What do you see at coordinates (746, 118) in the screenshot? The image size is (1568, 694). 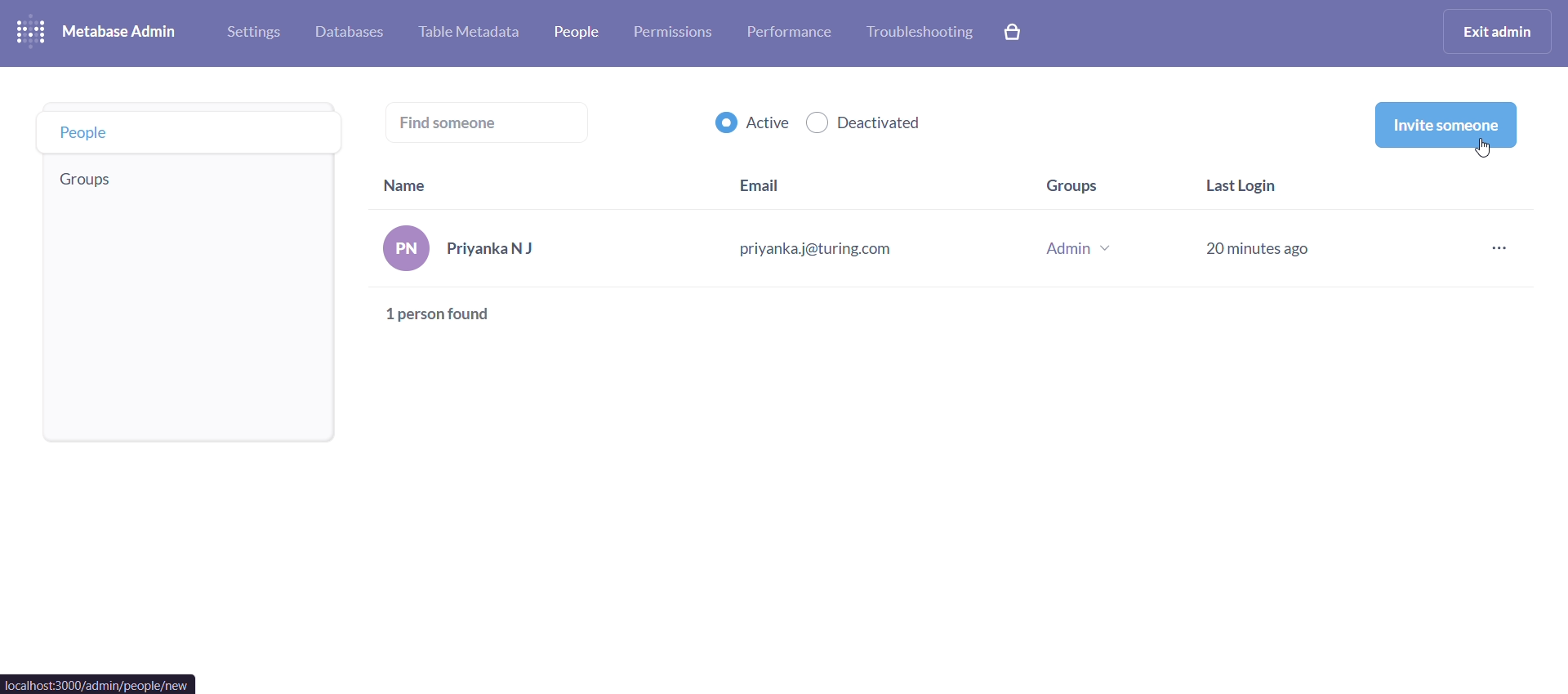 I see `active` at bounding box center [746, 118].